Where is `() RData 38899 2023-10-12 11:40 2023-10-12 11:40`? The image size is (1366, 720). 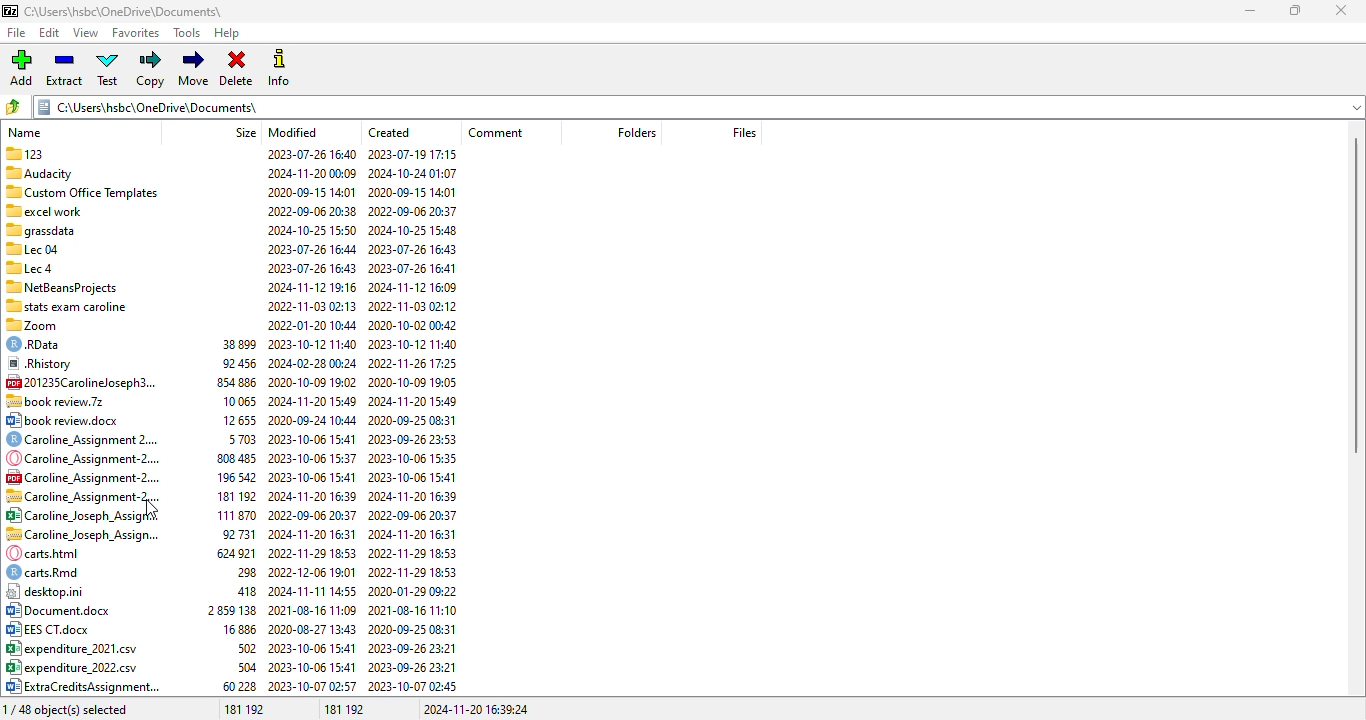
() RData 38899 2023-10-12 11:40 2023-10-12 11:40 is located at coordinates (232, 345).